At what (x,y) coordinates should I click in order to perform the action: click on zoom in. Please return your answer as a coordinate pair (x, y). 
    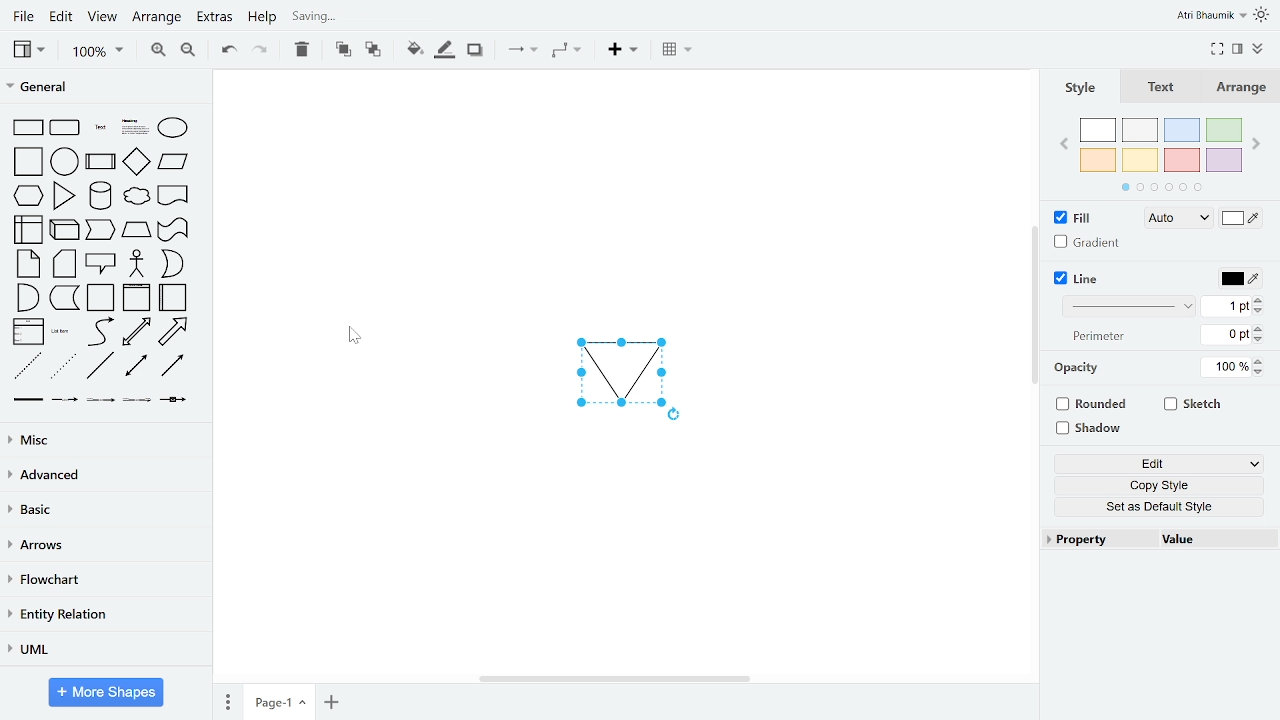
    Looking at the image, I should click on (160, 51).